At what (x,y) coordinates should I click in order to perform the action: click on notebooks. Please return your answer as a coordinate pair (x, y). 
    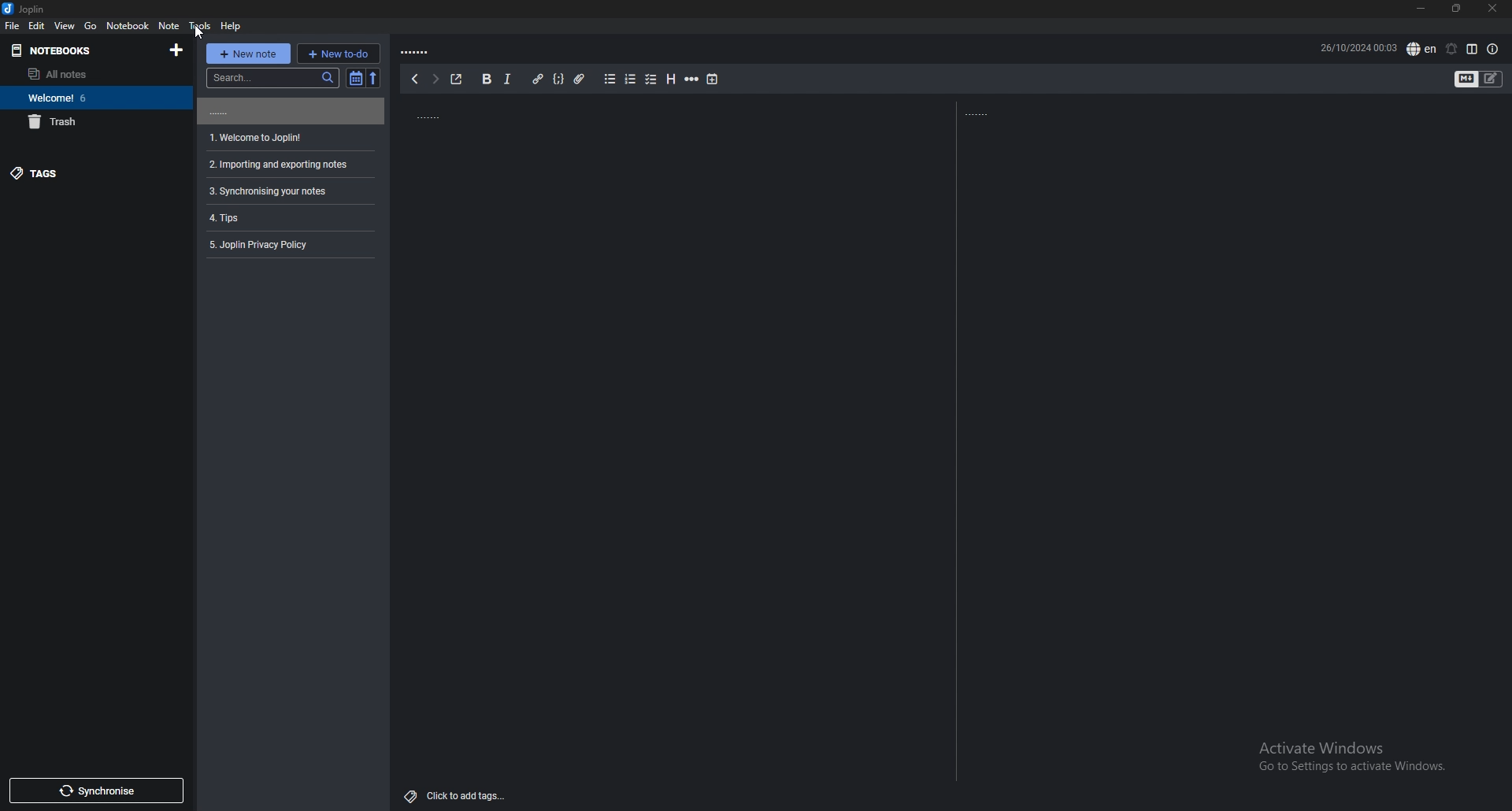
    Looking at the image, I should click on (50, 50).